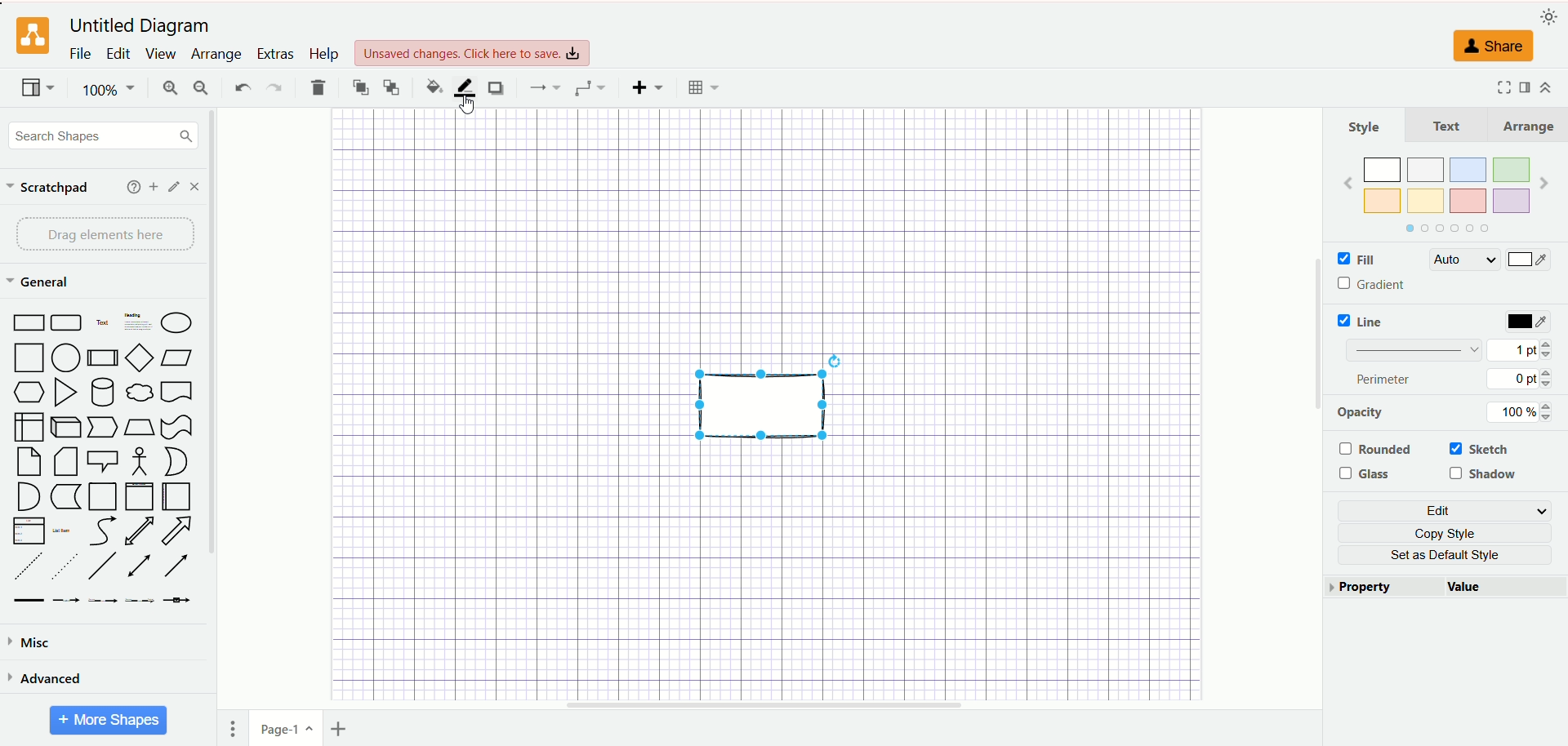 The width and height of the screenshot is (1568, 746). I want to click on more shapes, so click(107, 721).